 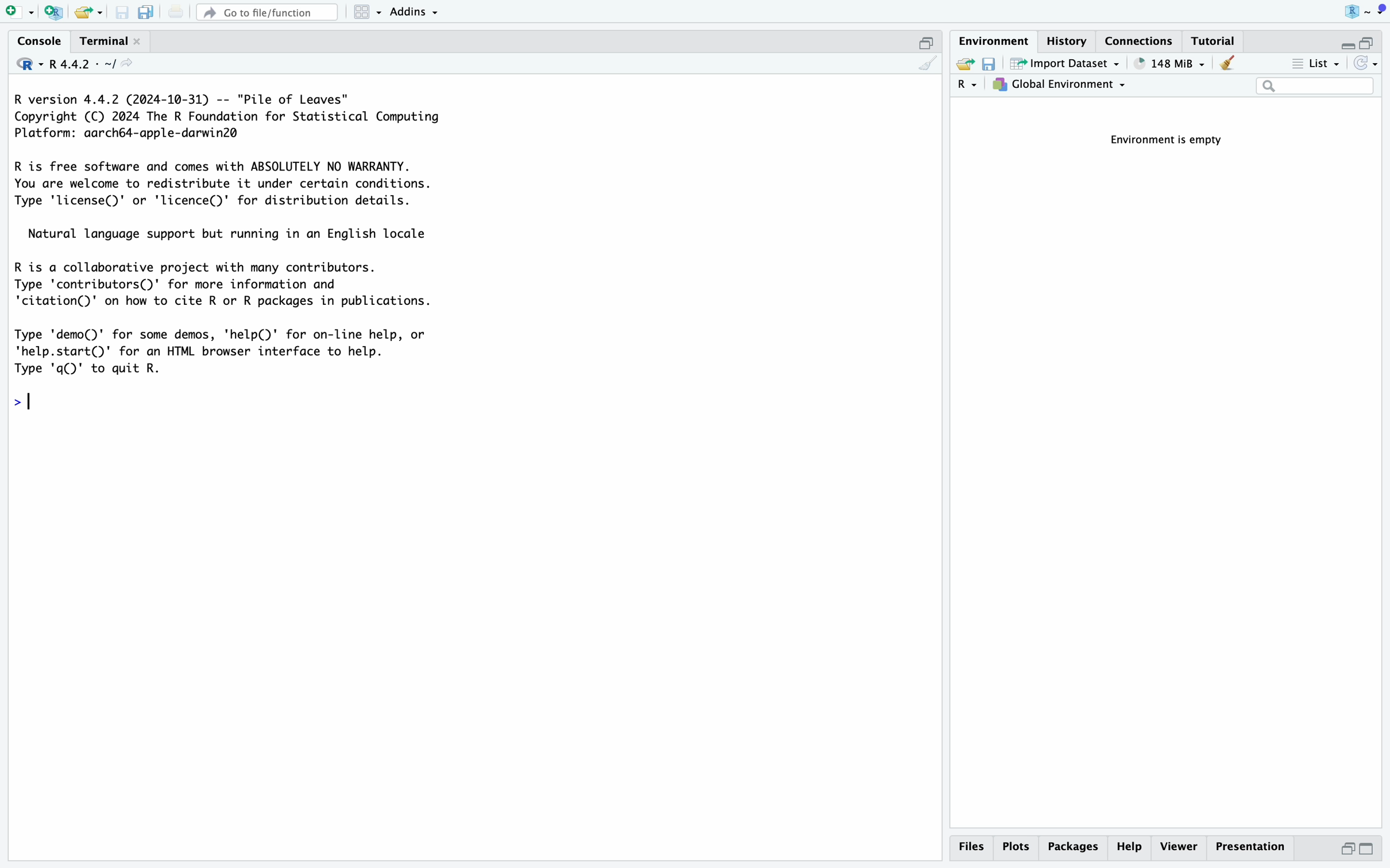 What do you see at coordinates (11, 398) in the screenshot?
I see `prompt cursor` at bounding box center [11, 398].